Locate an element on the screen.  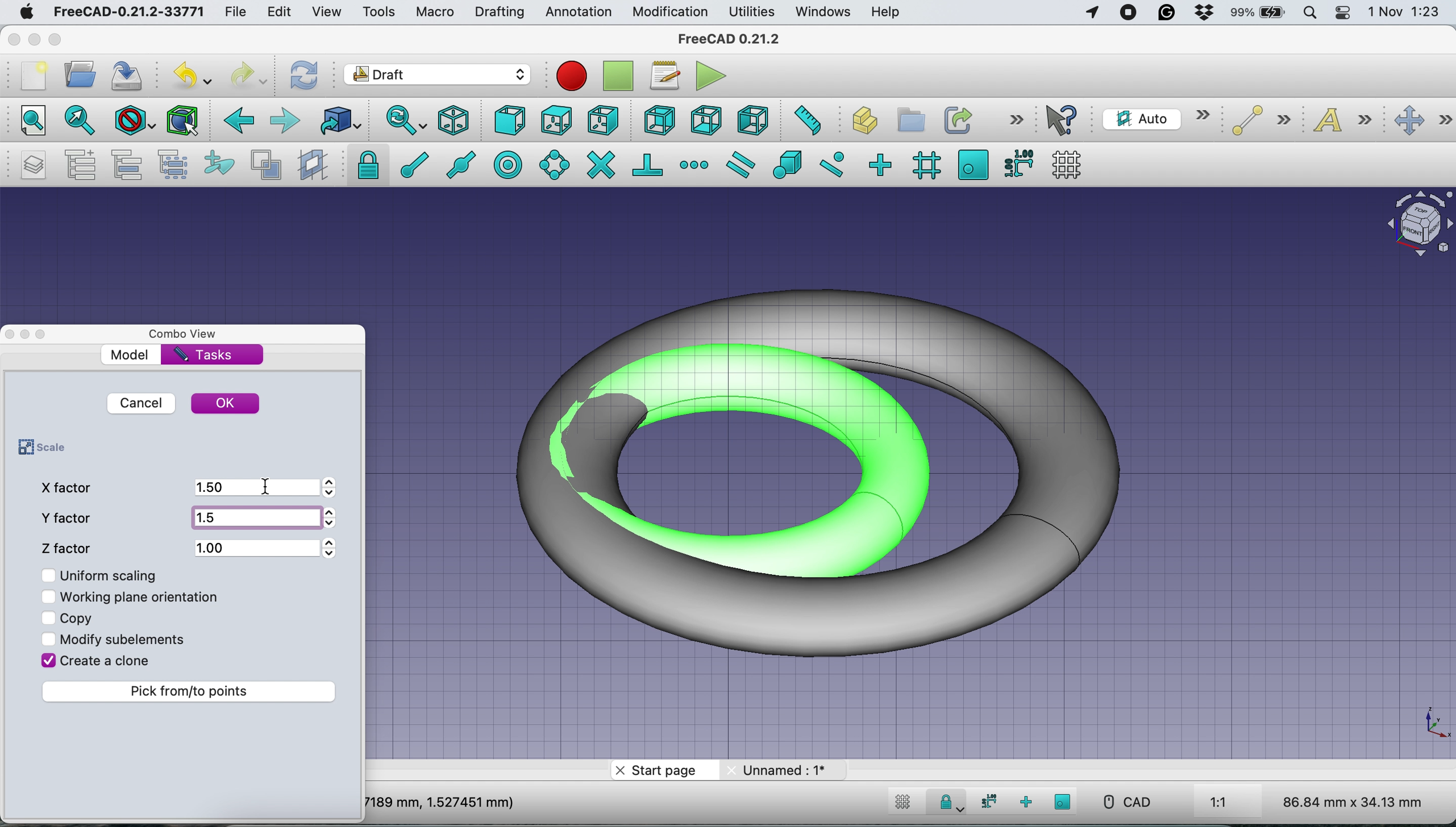
snap lock is located at coordinates (363, 165).